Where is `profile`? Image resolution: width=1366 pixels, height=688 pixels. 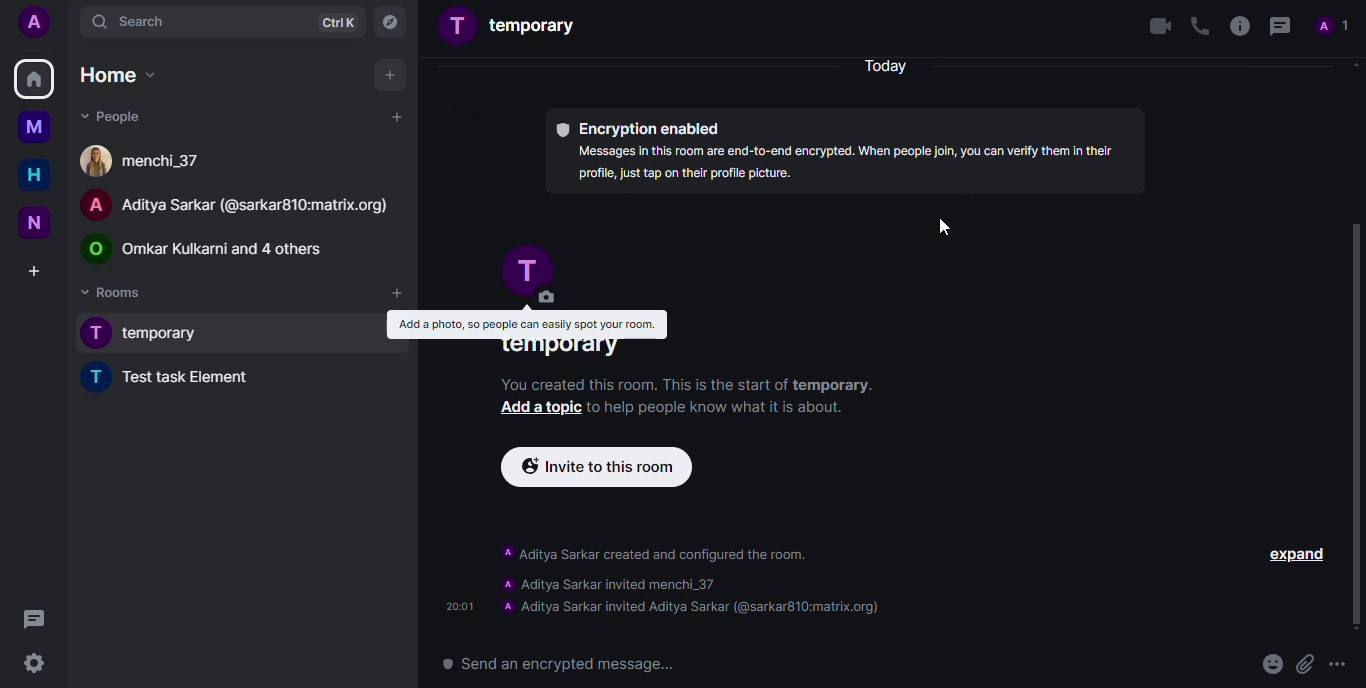
profile is located at coordinates (1329, 25).